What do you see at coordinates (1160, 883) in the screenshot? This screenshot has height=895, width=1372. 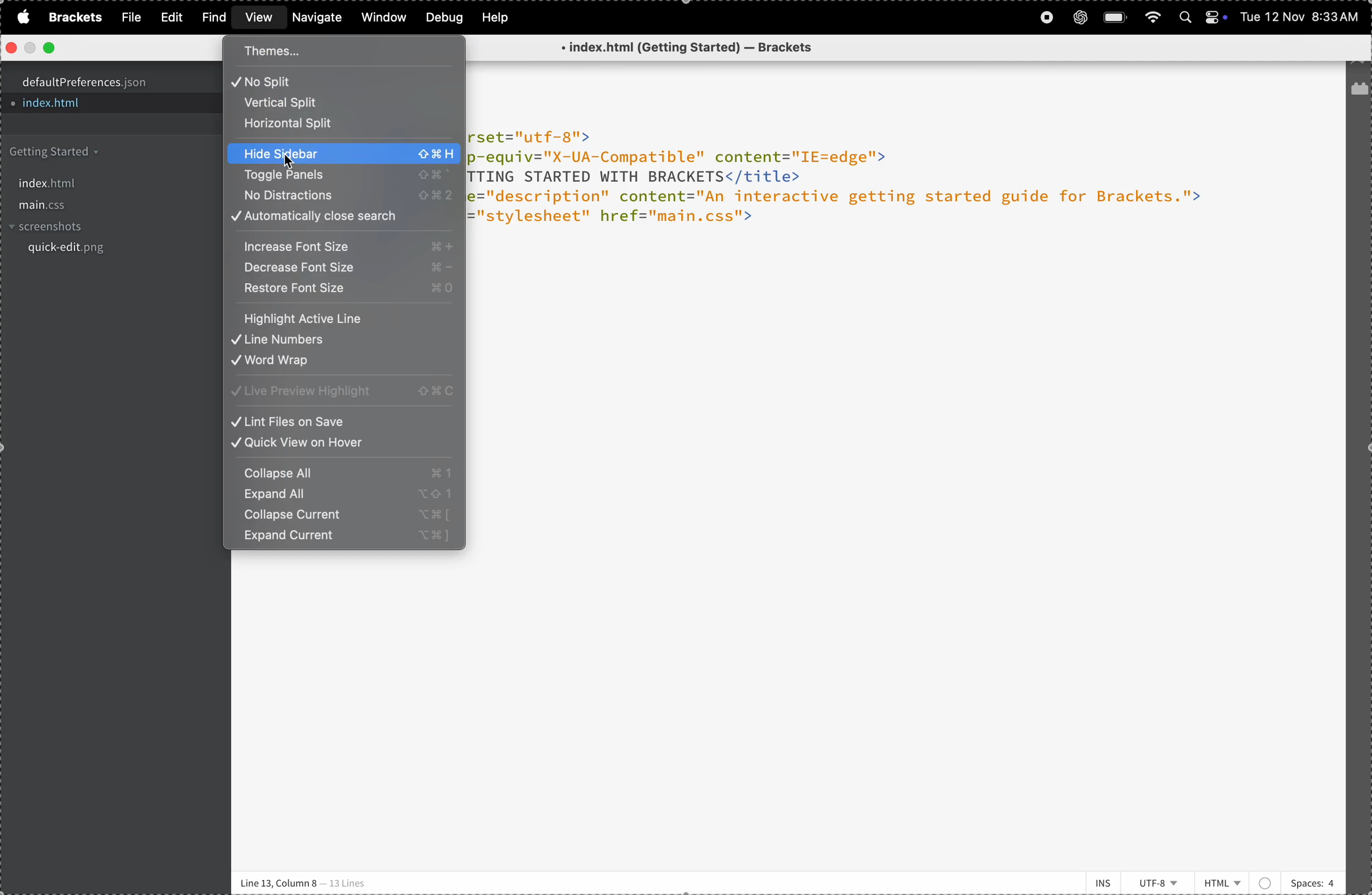 I see `utf 8` at bounding box center [1160, 883].